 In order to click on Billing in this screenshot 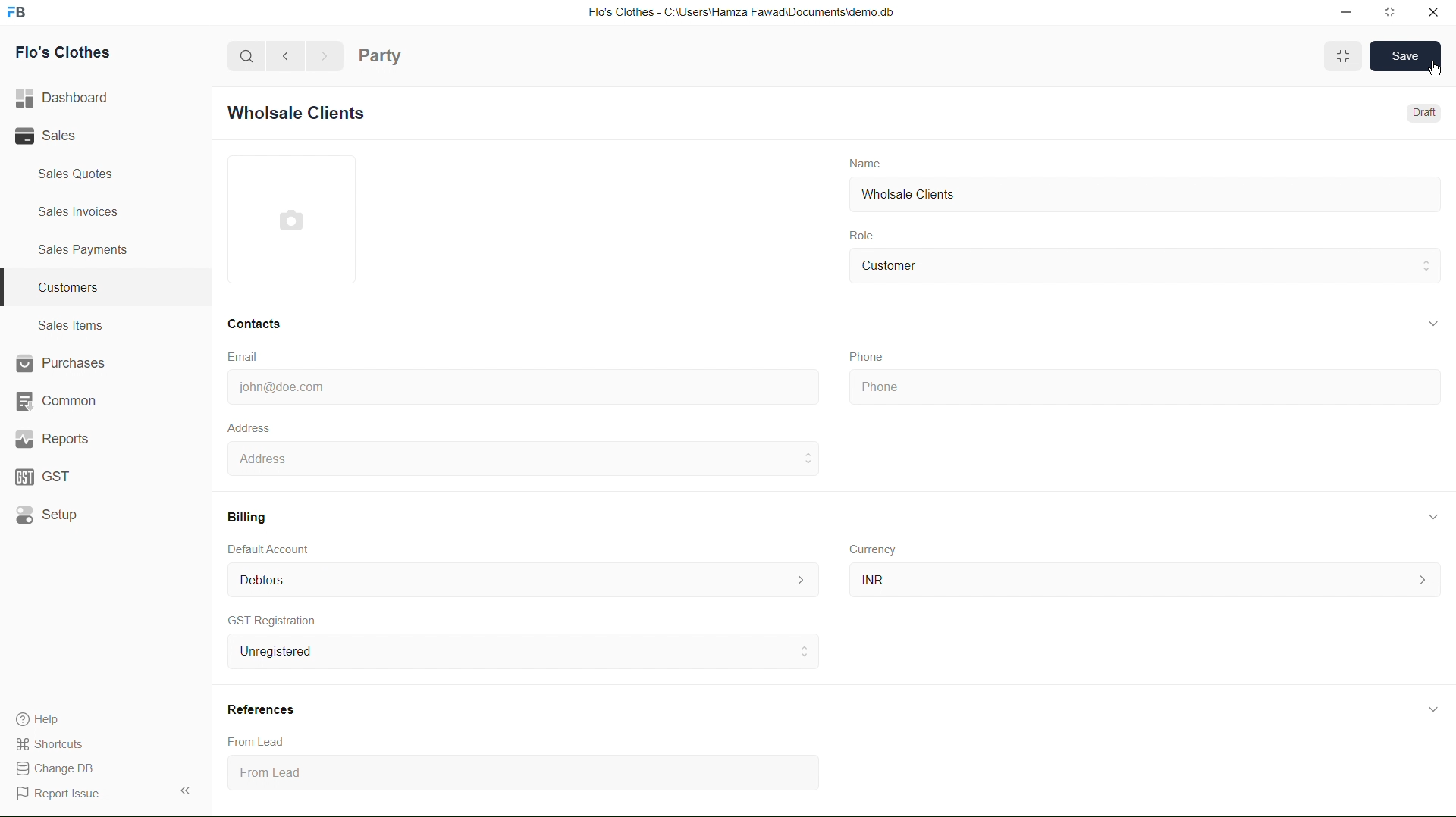, I will do `click(248, 513)`.